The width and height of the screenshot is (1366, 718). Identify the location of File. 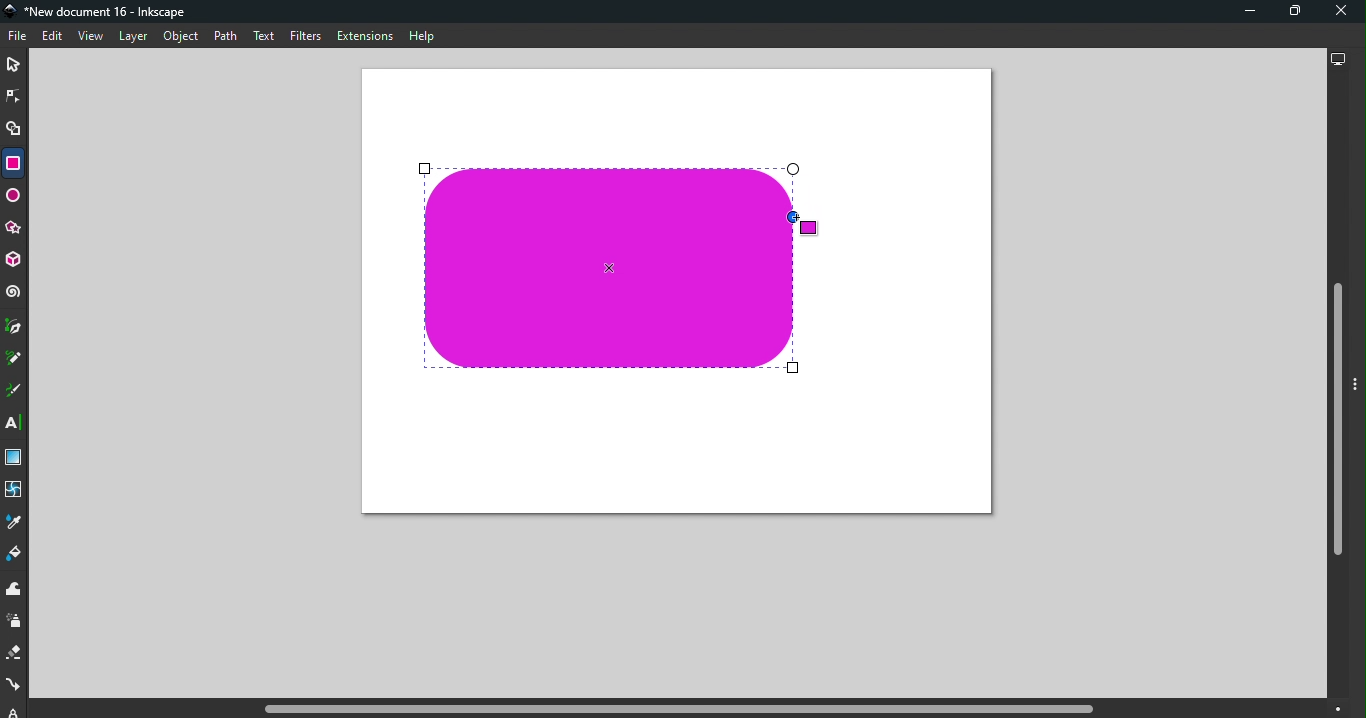
(20, 37).